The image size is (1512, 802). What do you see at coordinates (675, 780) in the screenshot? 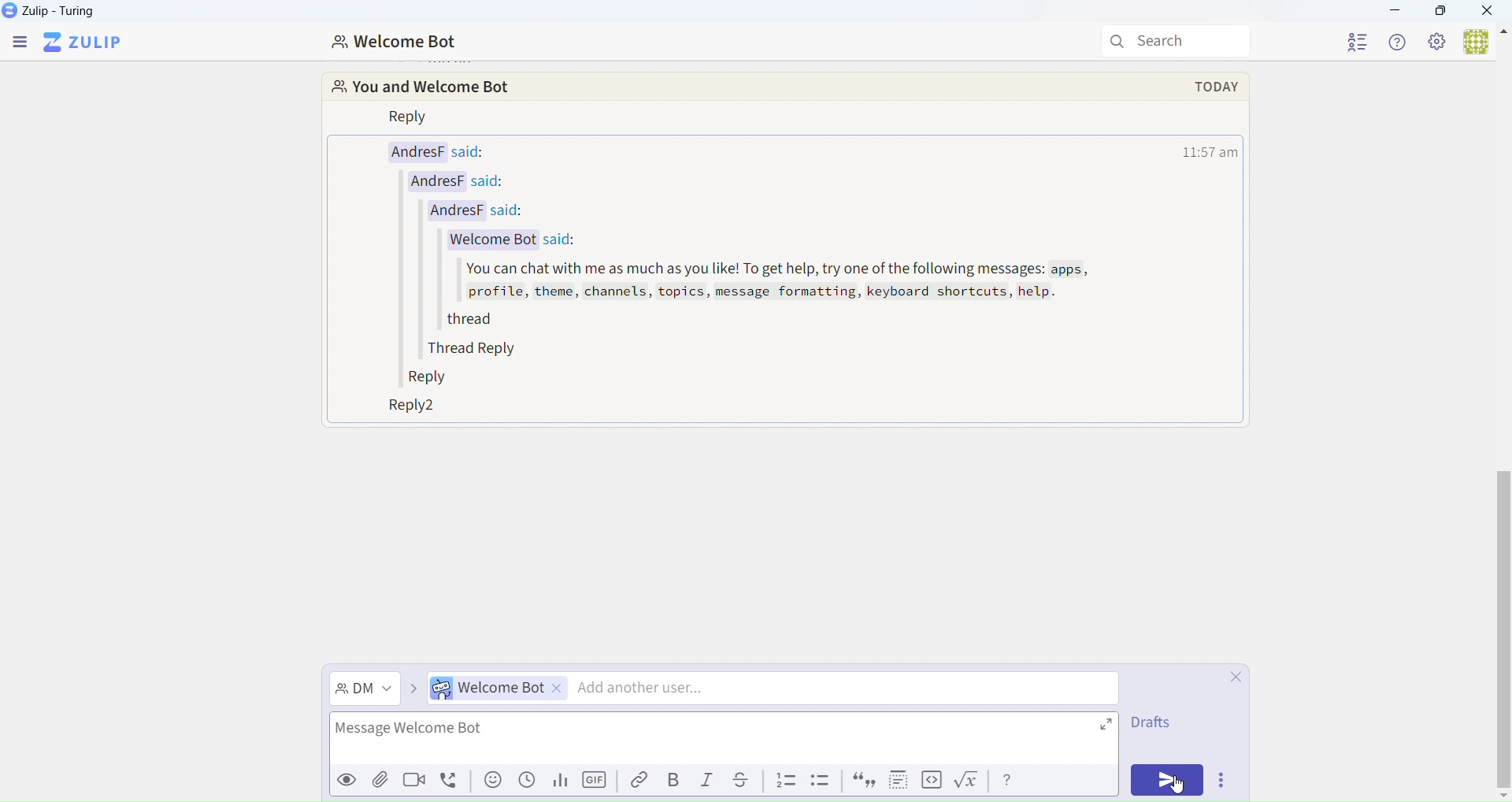
I see `Bold` at bounding box center [675, 780].